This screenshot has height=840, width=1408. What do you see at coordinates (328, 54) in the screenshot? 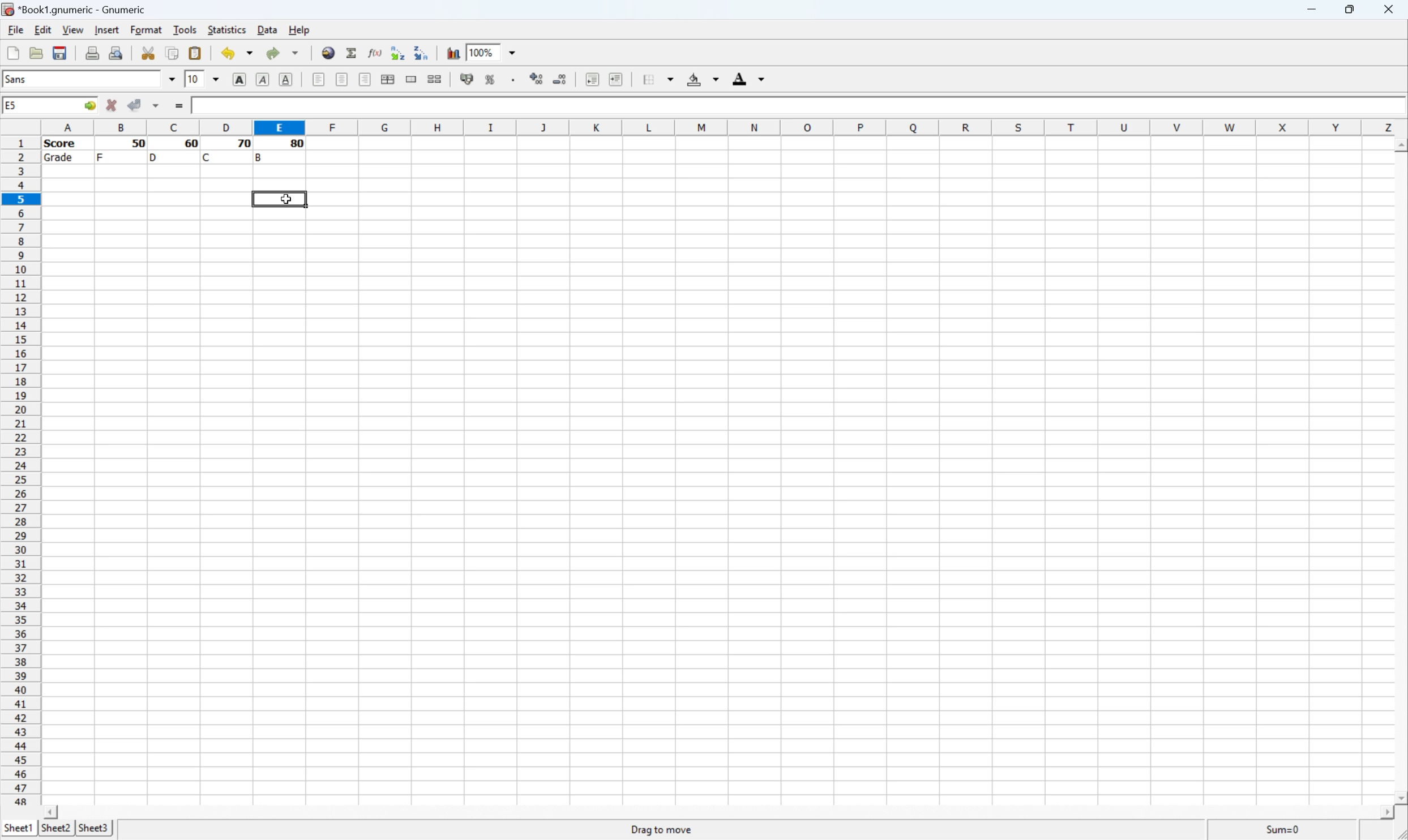
I see `Insert Hyperlink` at bounding box center [328, 54].